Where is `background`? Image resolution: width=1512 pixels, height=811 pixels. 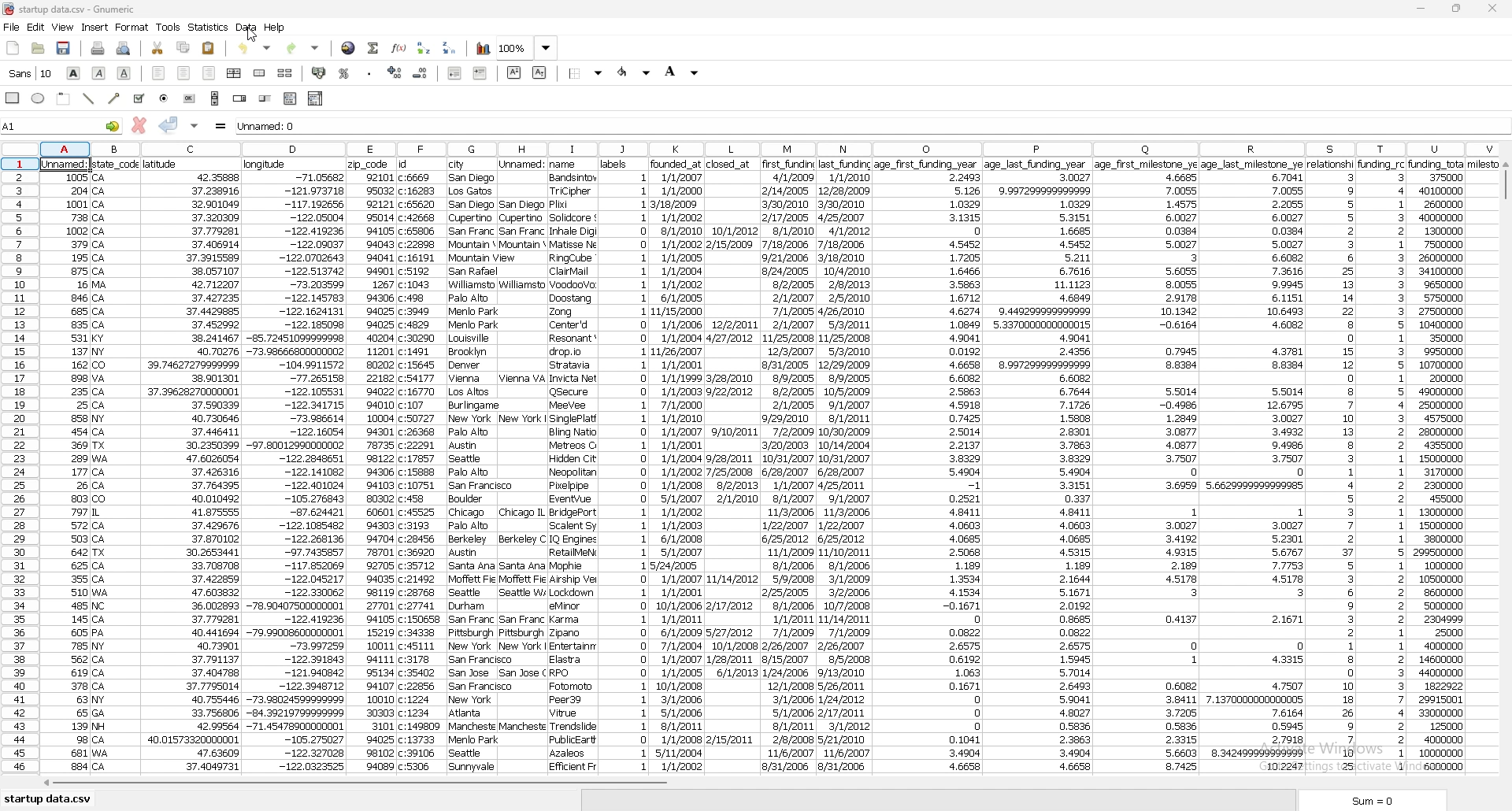
background is located at coordinates (682, 72).